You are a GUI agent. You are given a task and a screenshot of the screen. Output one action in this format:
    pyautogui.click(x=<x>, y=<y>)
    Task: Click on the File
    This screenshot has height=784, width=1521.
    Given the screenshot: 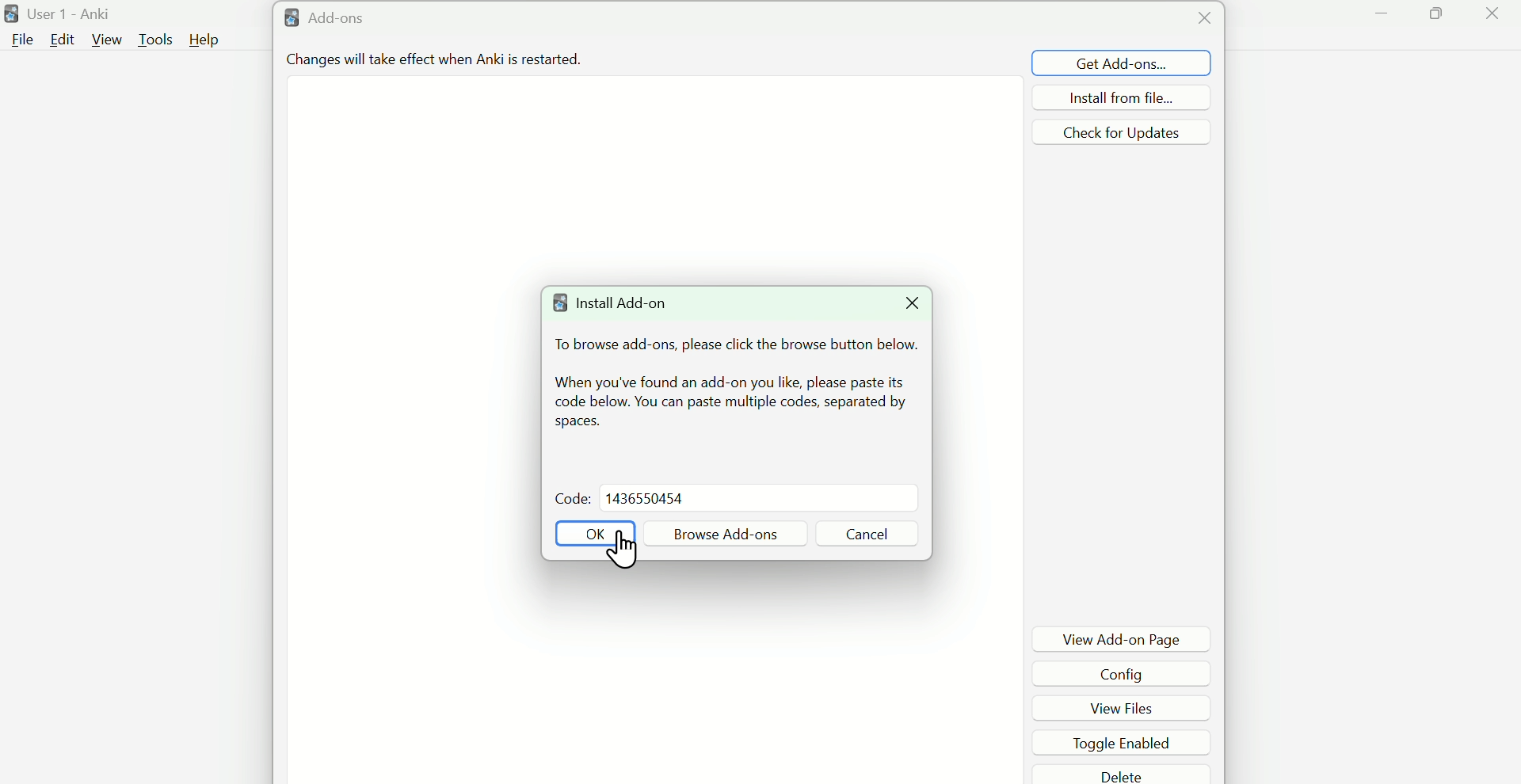 What is the action you would take?
    pyautogui.click(x=20, y=39)
    